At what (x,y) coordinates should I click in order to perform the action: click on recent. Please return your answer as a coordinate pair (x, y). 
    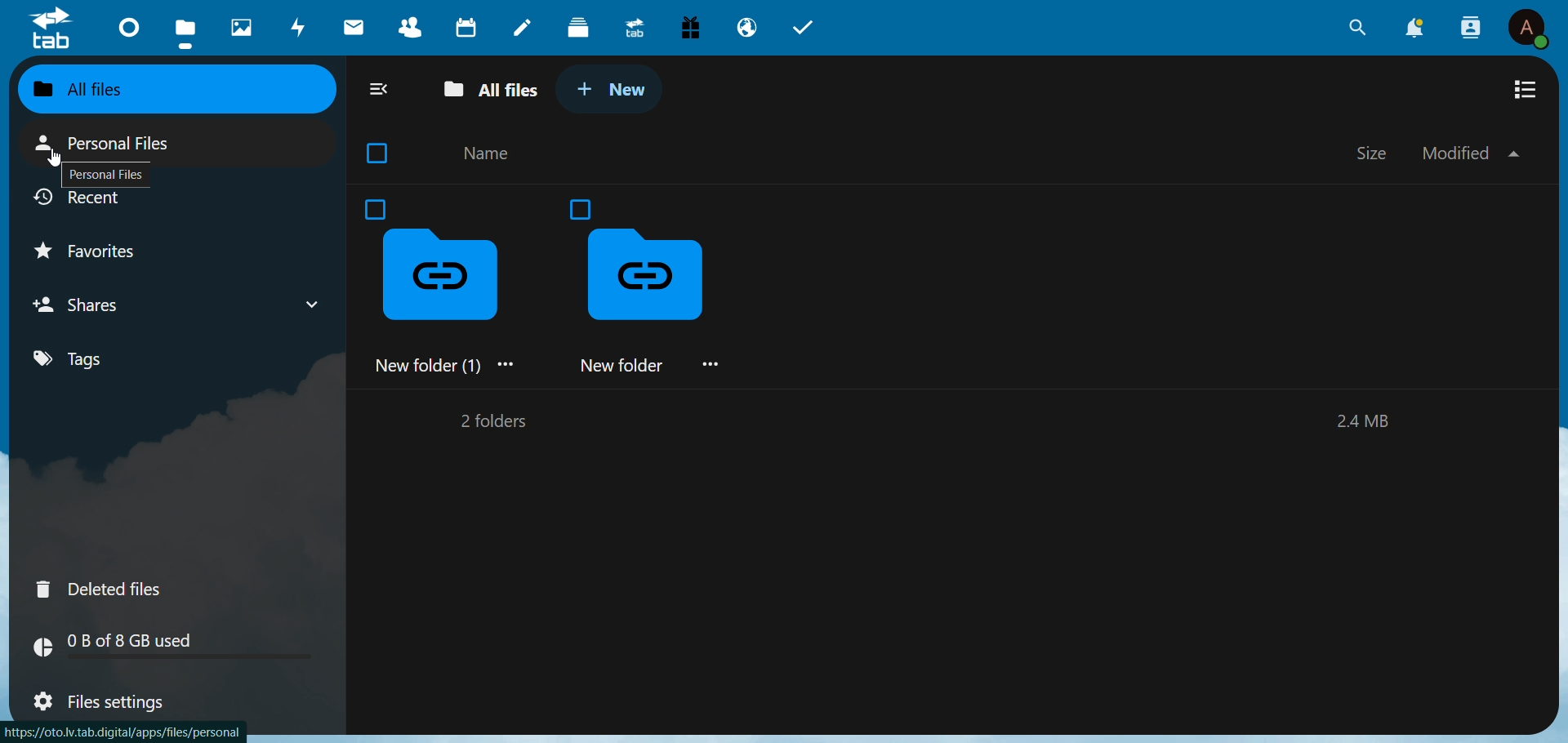
    Looking at the image, I should click on (83, 201).